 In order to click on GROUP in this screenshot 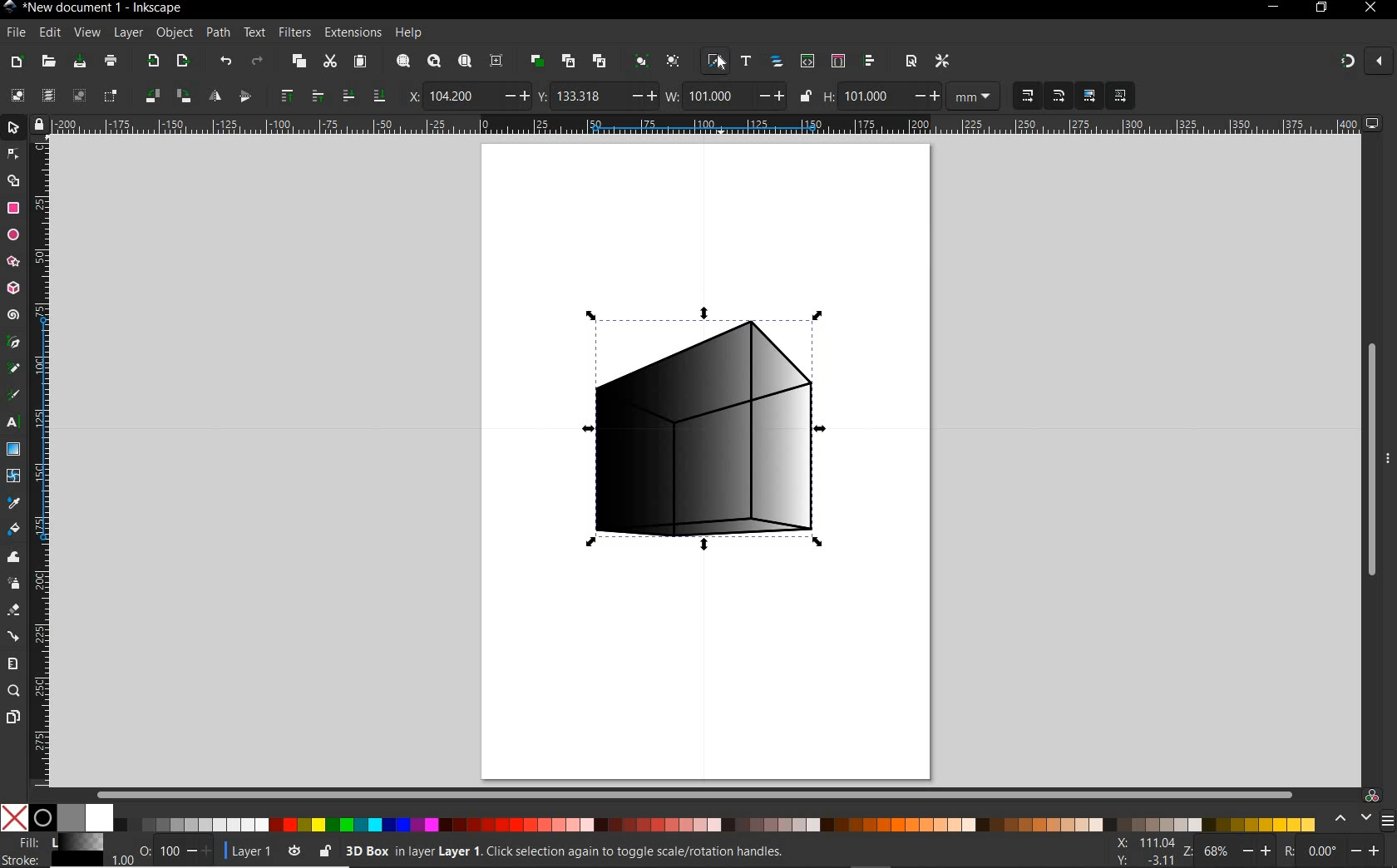, I will do `click(640, 60)`.